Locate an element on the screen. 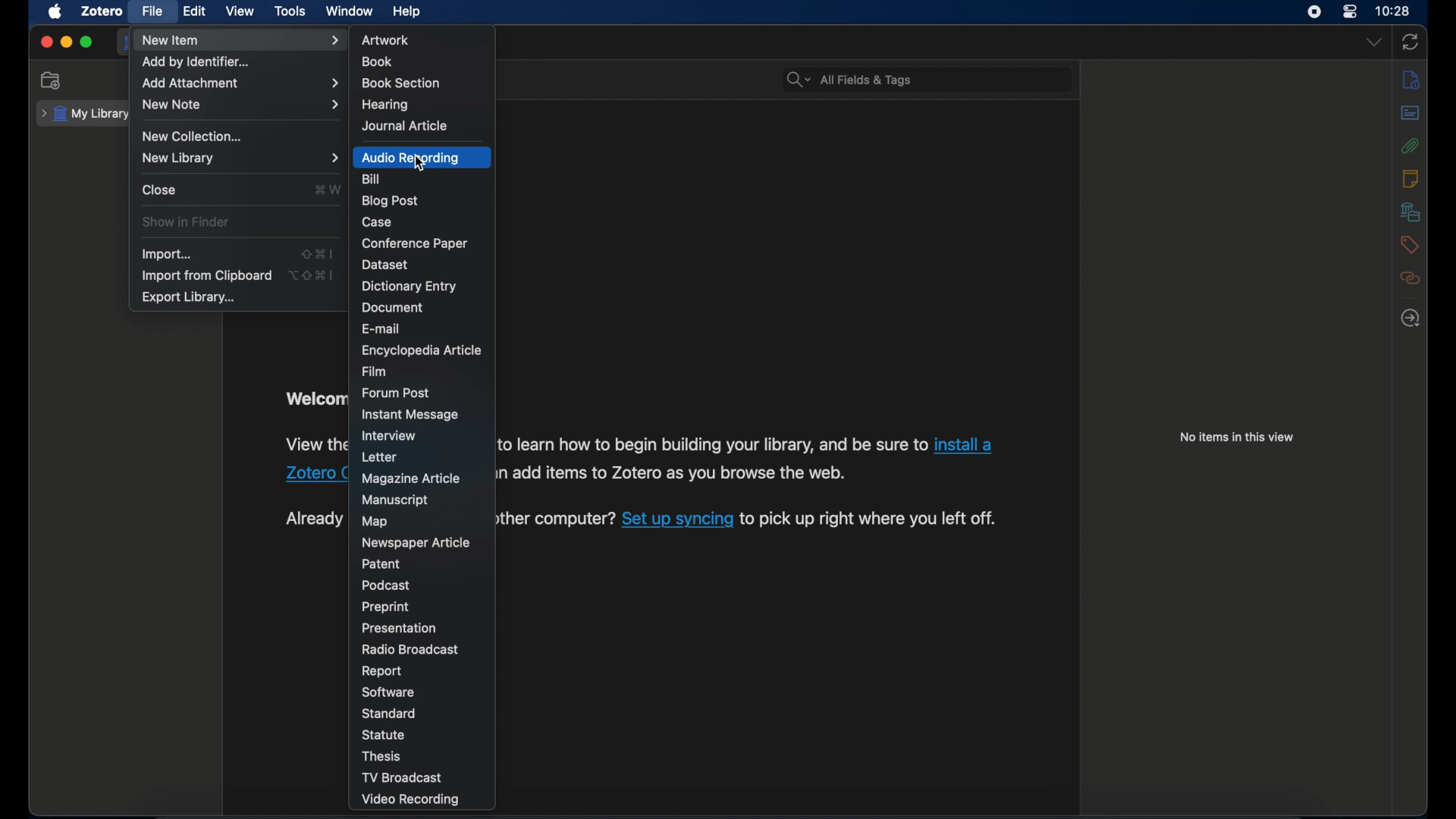 The image size is (1456, 819). preprint is located at coordinates (385, 607).